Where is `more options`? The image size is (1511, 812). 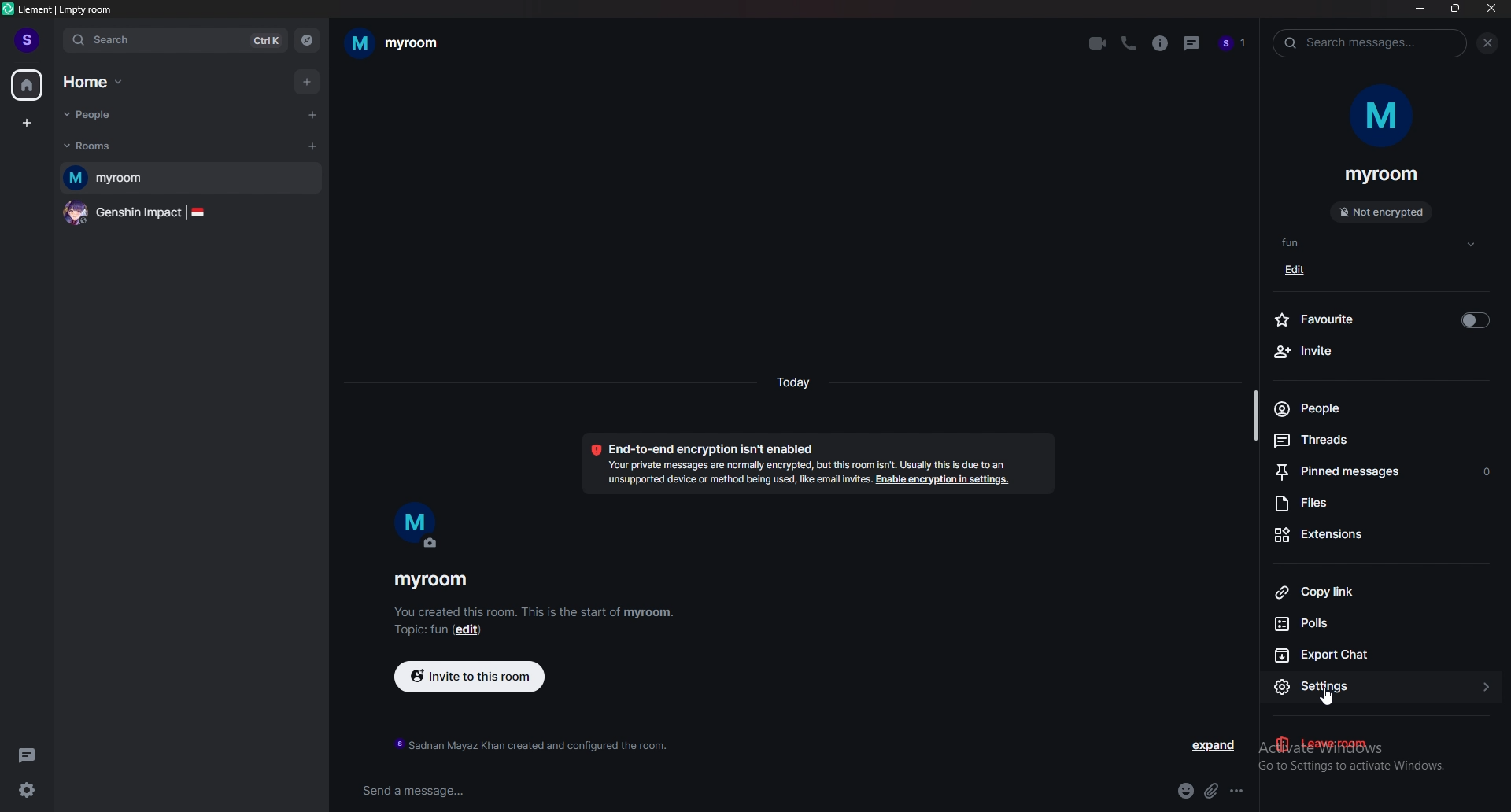 more options is located at coordinates (1242, 790).